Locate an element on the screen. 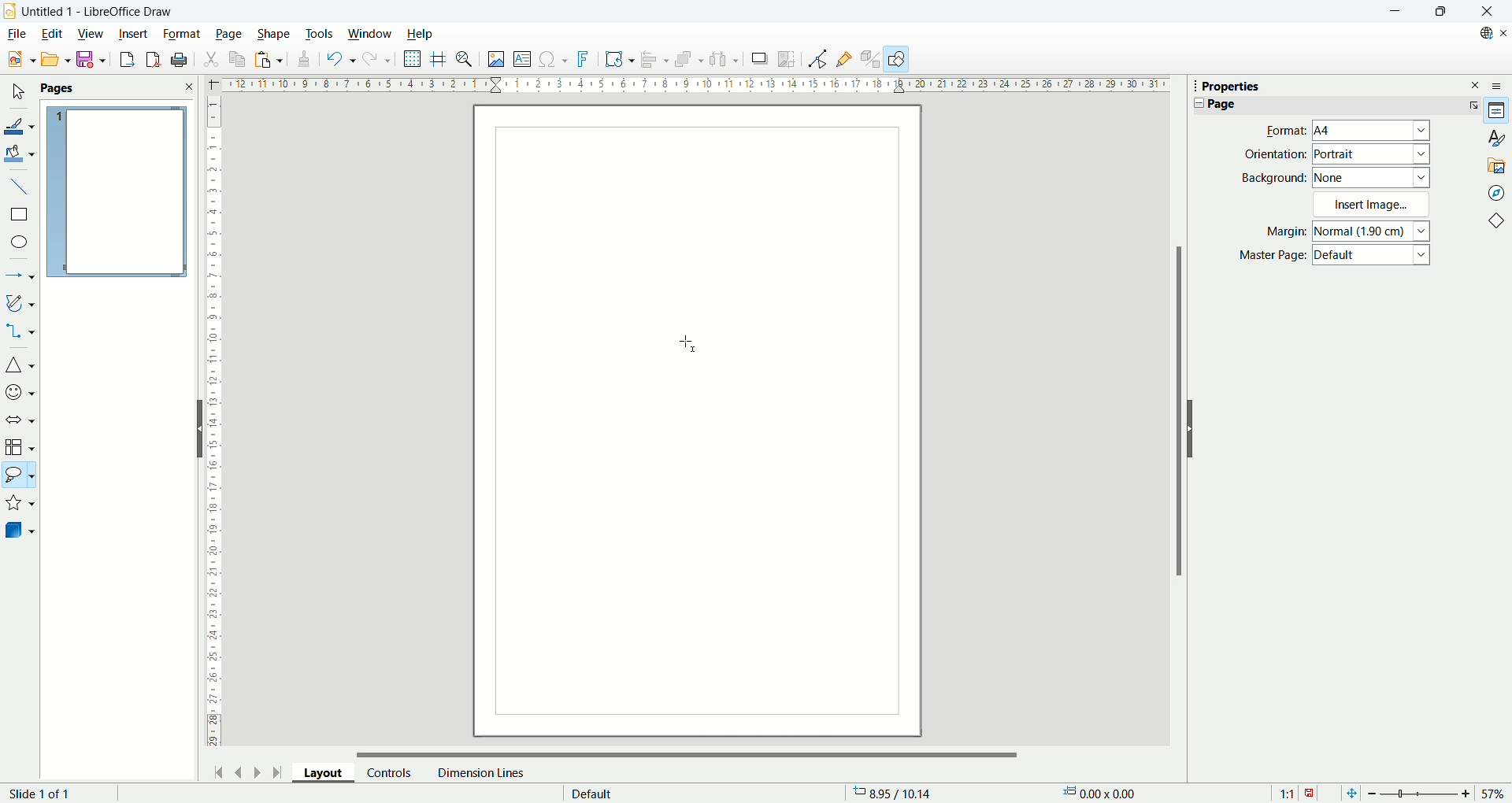 Image resolution: width=1512 pixels, height=803 pixels. previous page is located at coordinates (240, 771).